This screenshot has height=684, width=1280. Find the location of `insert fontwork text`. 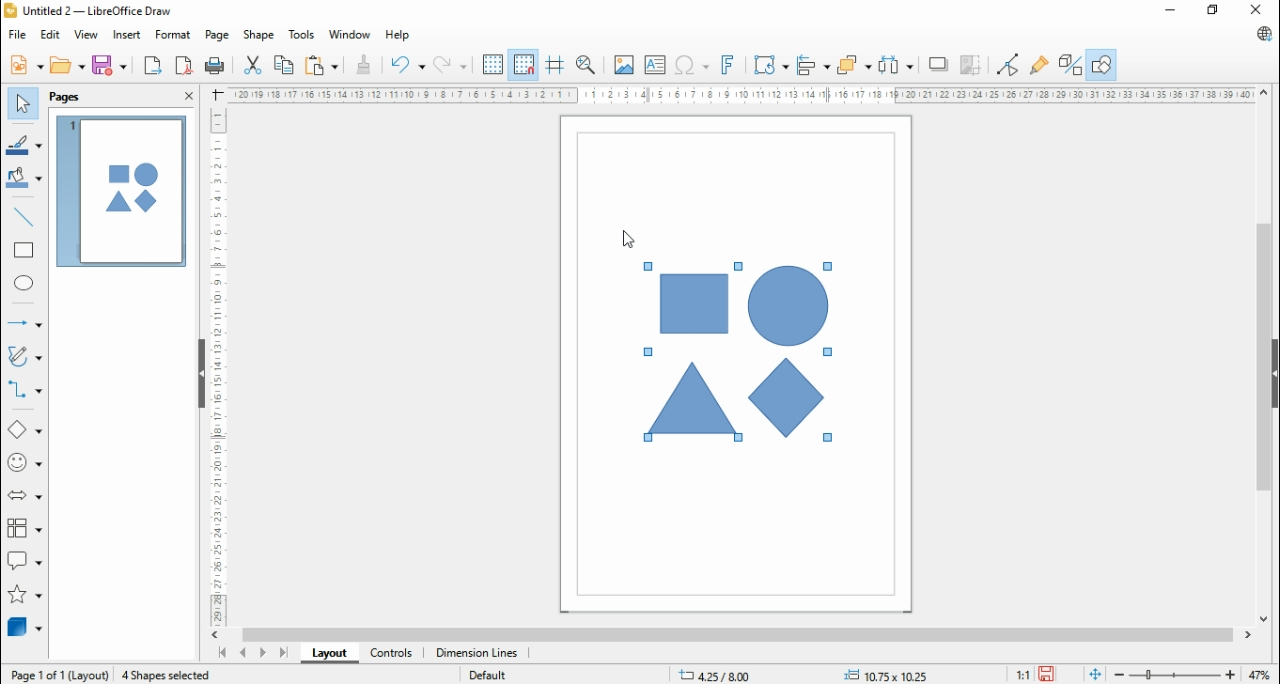

insert fontwork text is located at coordinates (729, 64).